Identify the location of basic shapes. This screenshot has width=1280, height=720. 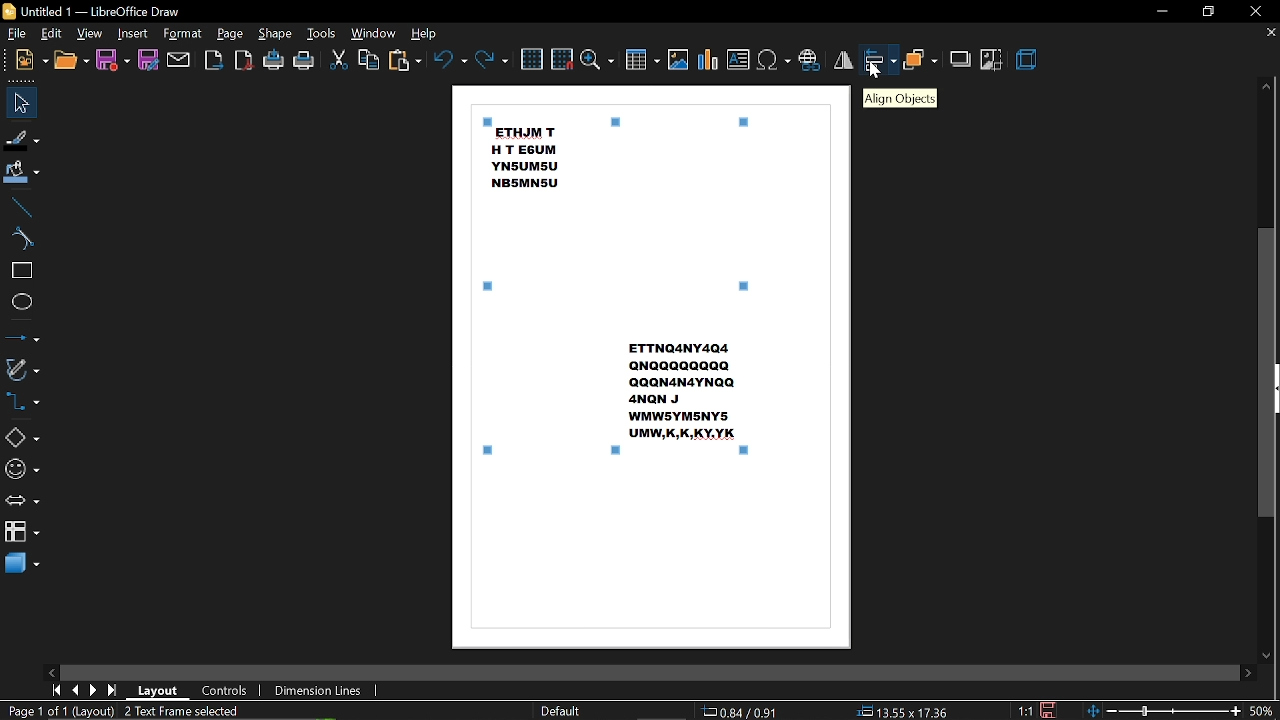
(23, 436).